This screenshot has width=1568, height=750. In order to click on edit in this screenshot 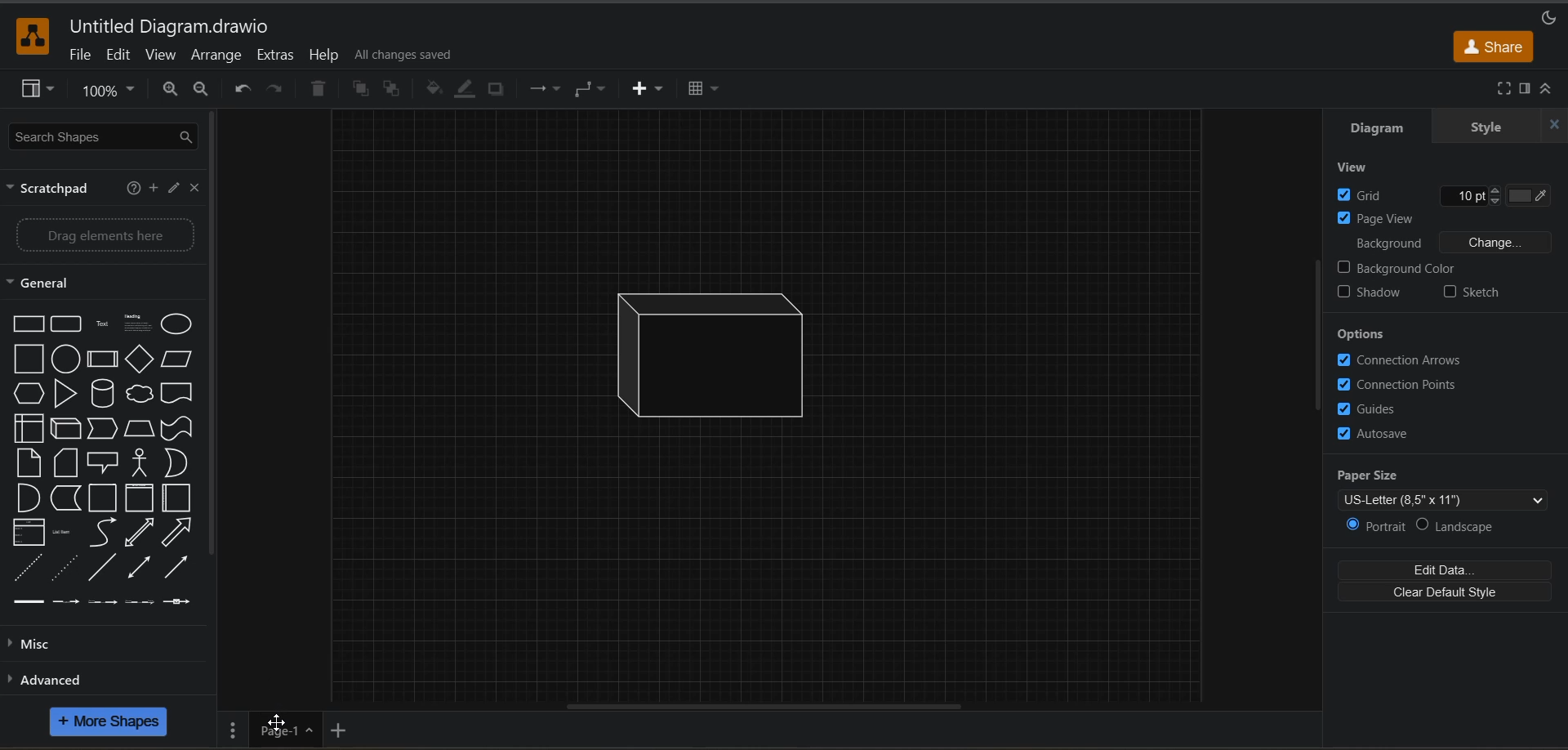, I will do `click(122, 57)`.